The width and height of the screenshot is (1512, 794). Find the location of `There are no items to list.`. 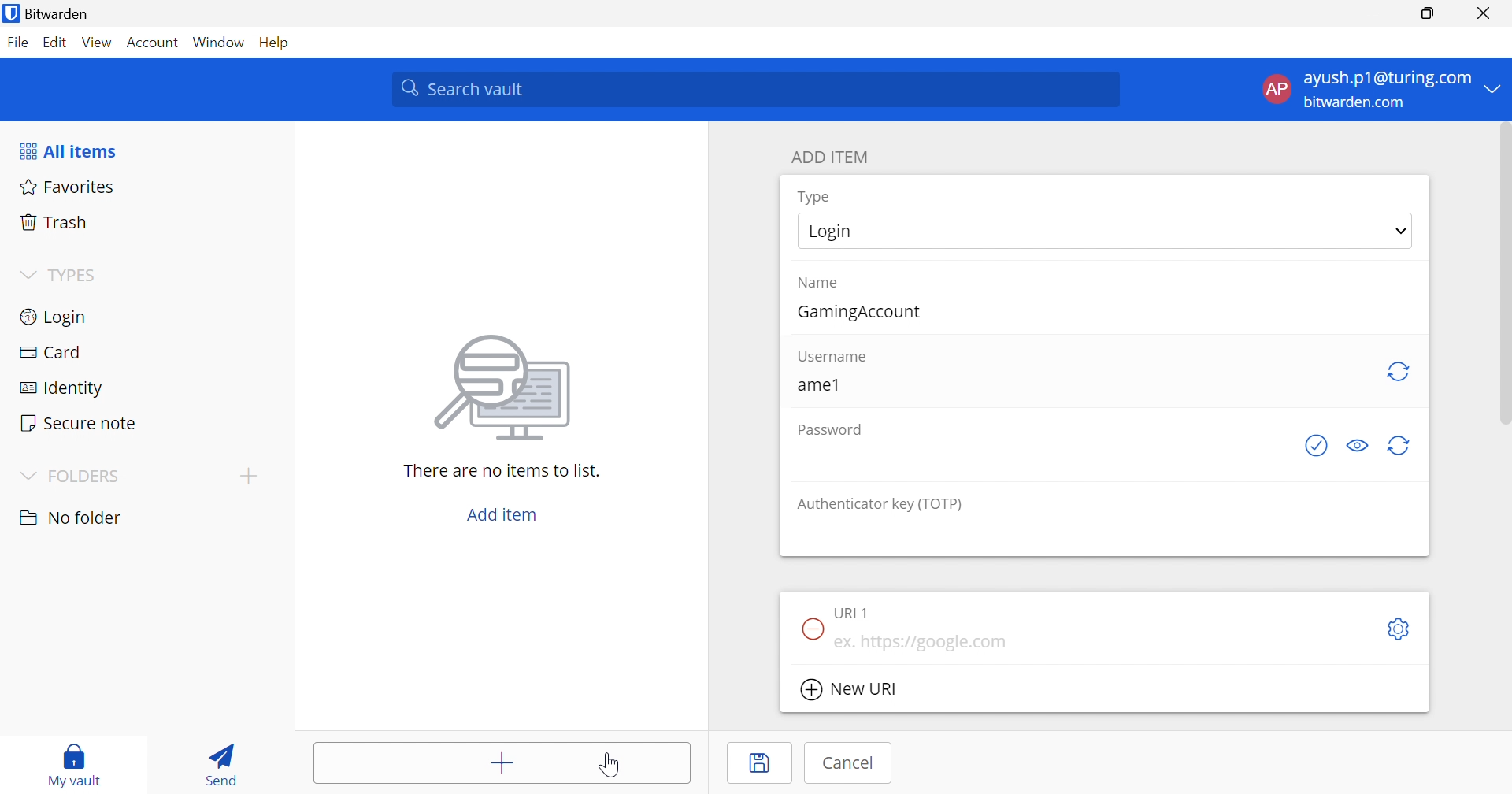

There are no items to list. is located at coordinates (502, 473).